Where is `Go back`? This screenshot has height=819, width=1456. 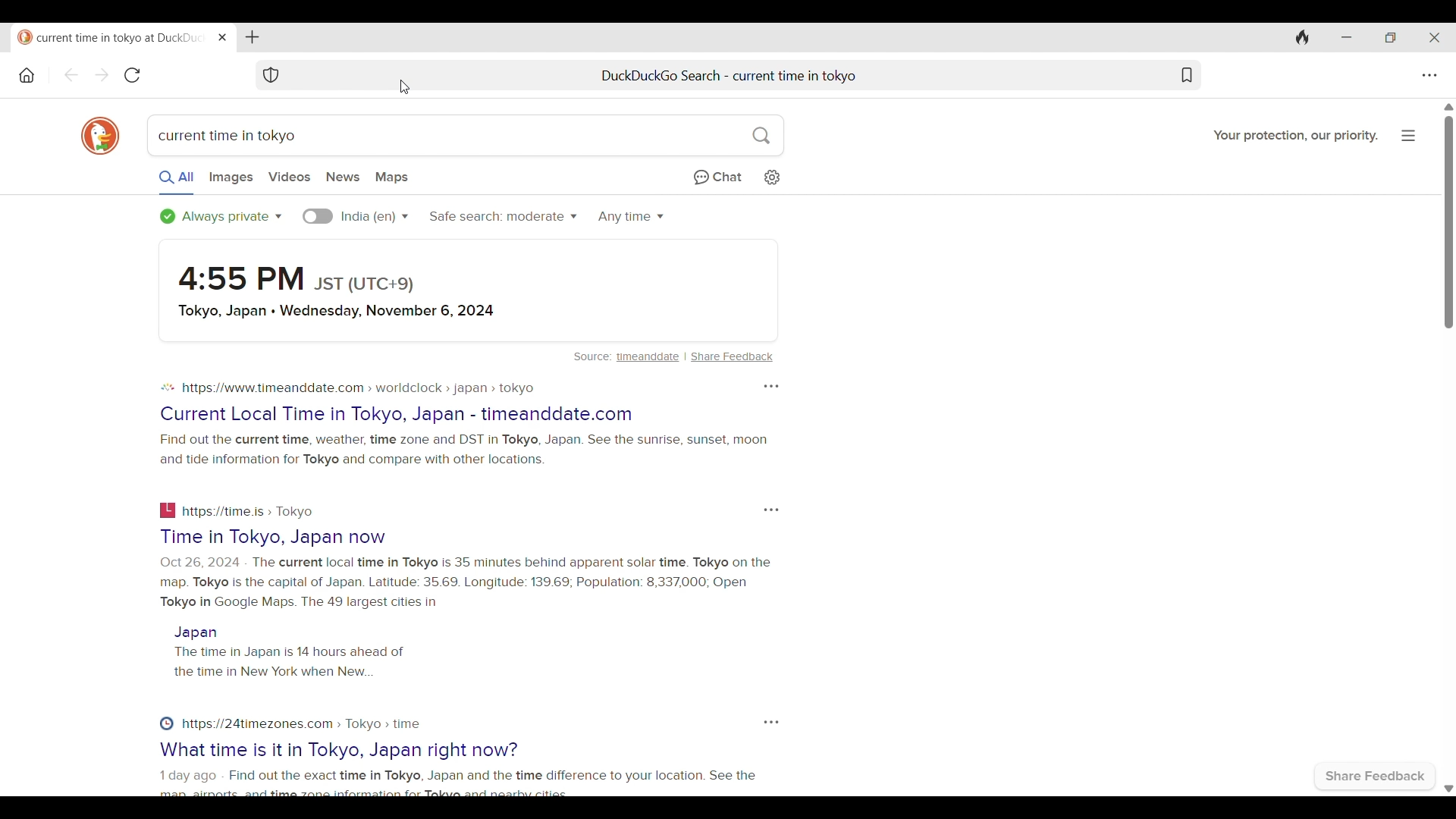
Go back is located at coordinates (71, 74).